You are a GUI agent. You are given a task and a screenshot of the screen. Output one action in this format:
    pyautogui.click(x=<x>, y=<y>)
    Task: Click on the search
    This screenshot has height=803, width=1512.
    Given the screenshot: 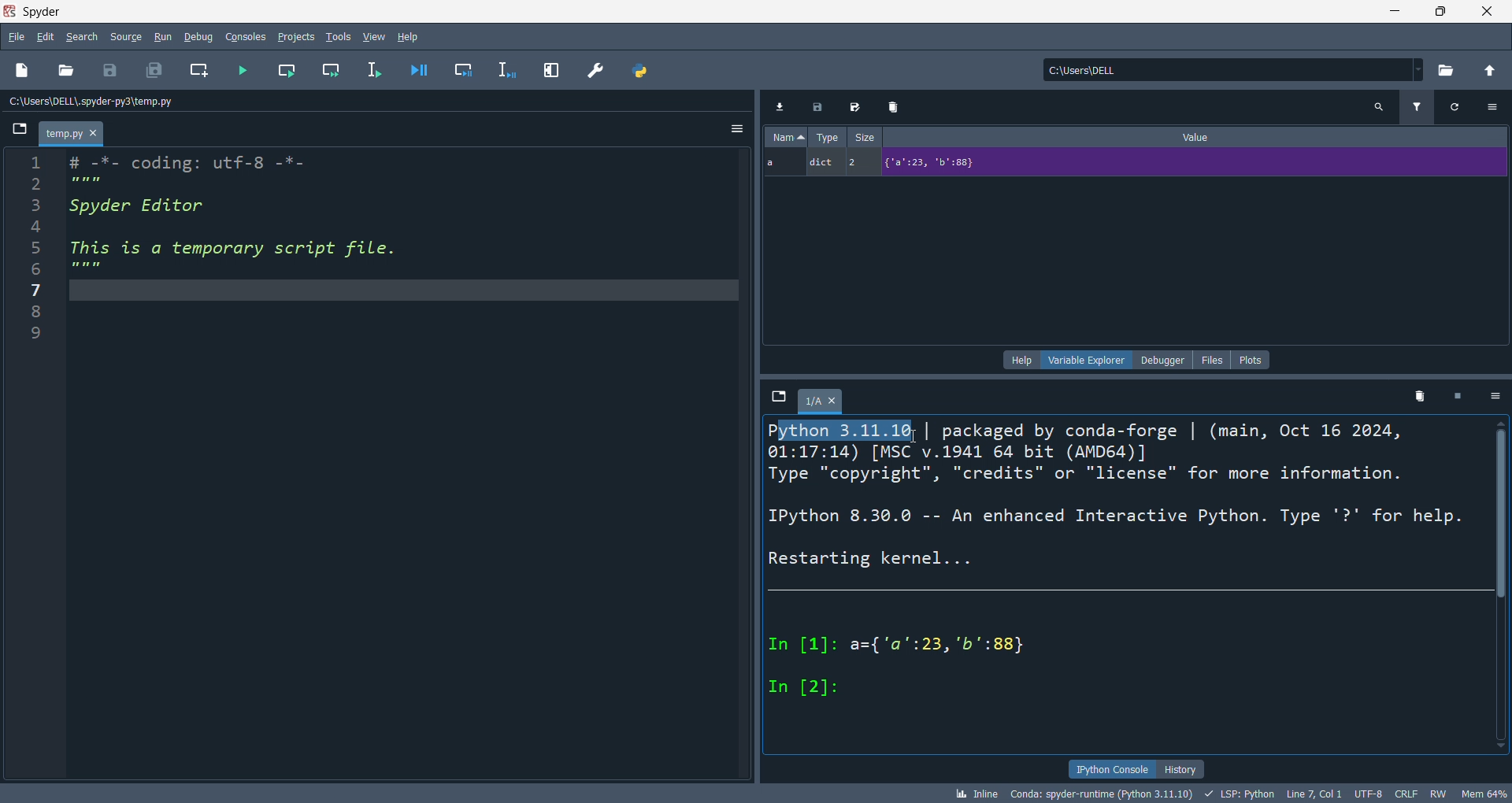 What is the action you would take?
    pyautogui.click(x=78, y=37)
    